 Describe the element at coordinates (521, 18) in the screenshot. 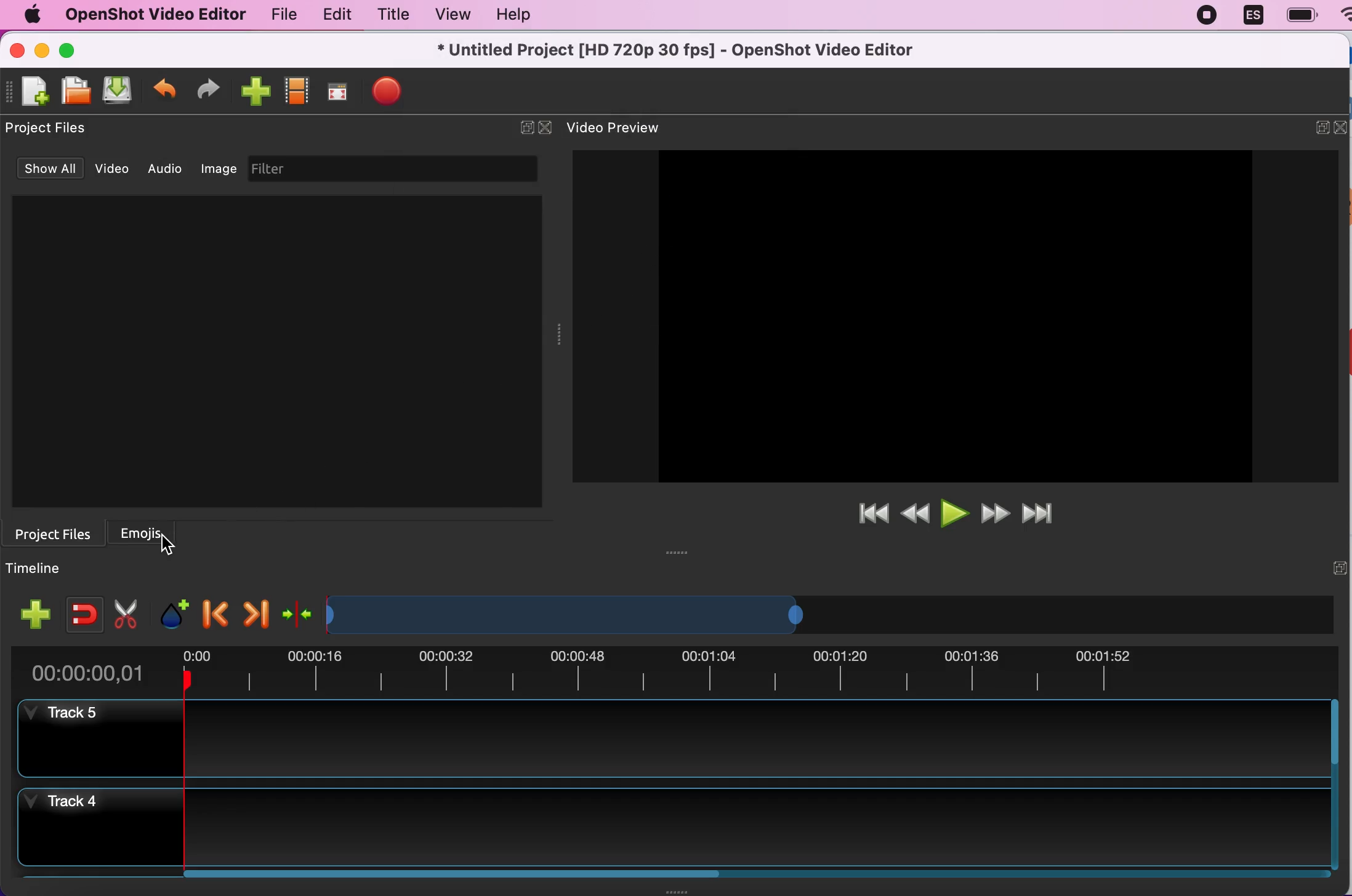

I see `help` at that location.